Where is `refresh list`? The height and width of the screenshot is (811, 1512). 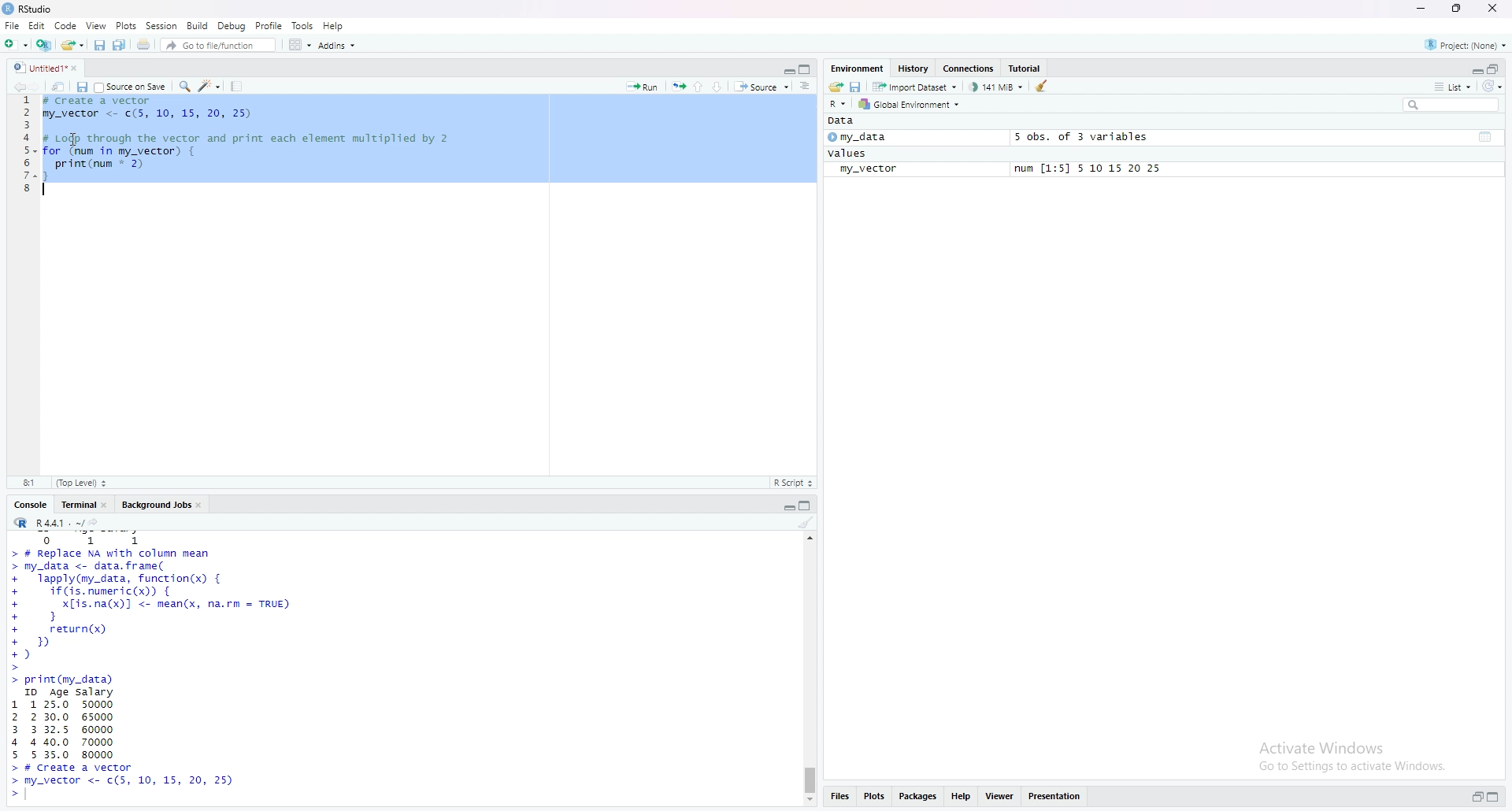
refresh list is located at coordinates (1495, 87).